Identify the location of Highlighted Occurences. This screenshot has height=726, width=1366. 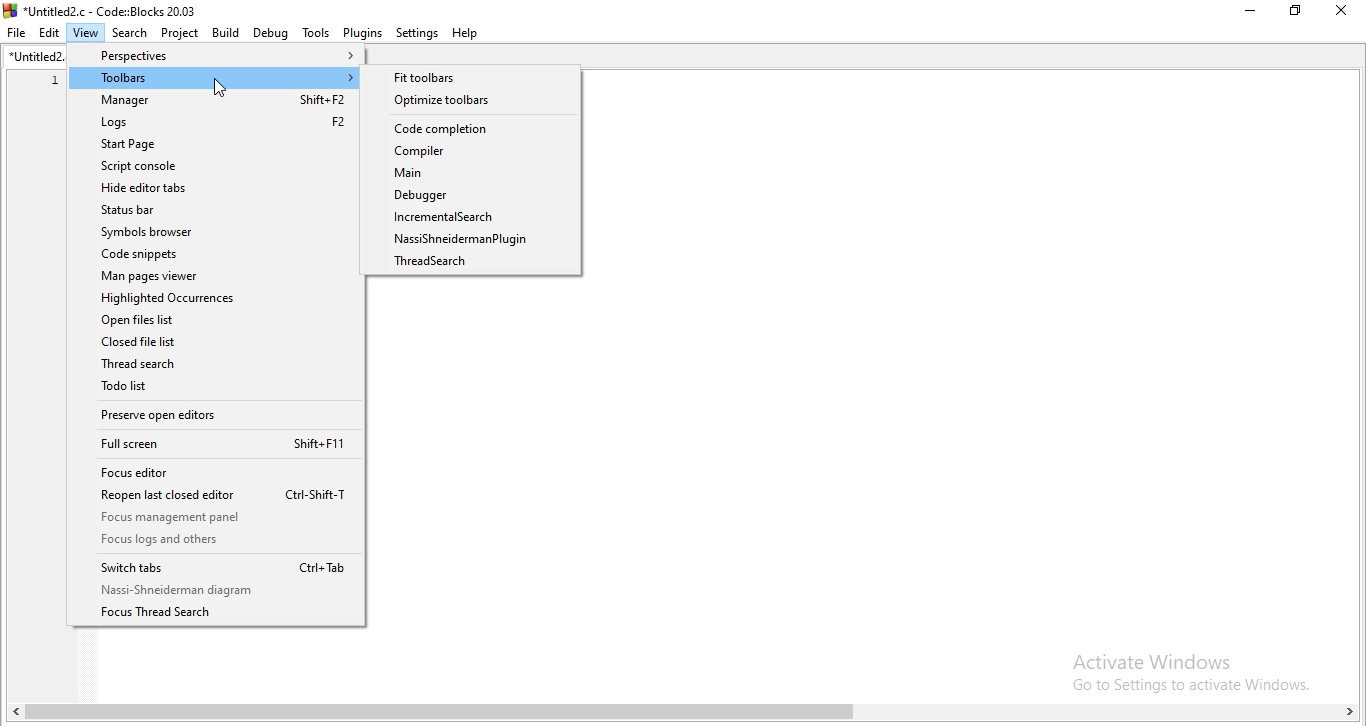
(210, 301).